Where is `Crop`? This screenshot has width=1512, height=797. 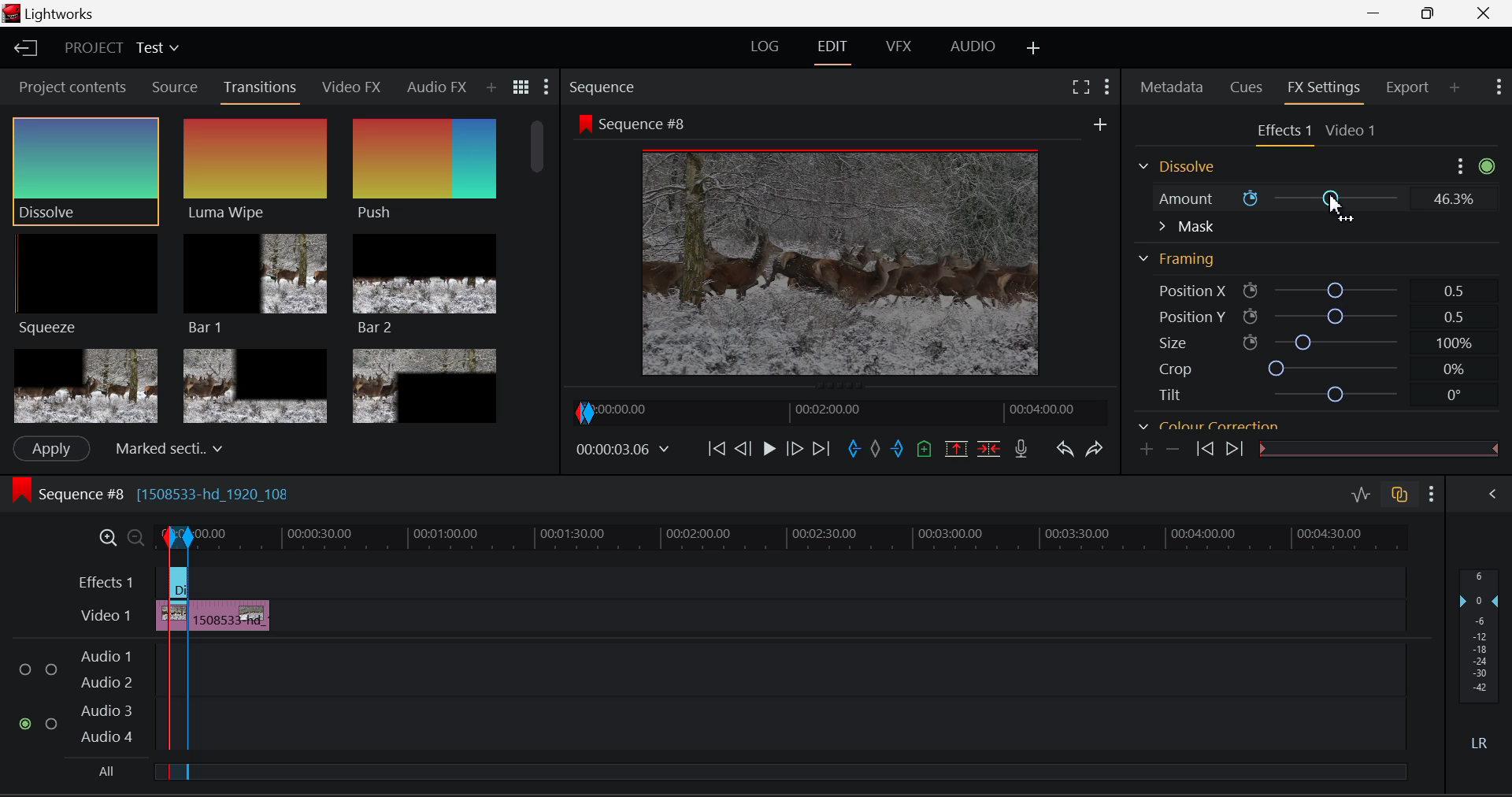
Crop is located at coordinates (1303, 369).